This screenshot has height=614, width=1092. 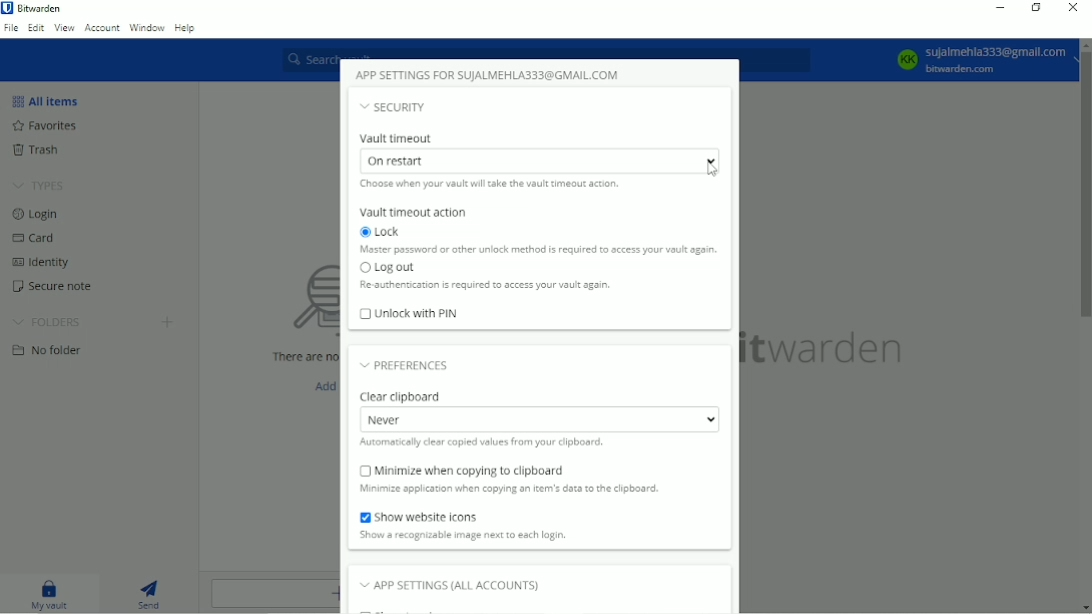 I want to click on Minimize application when copying an item's data to the clipboard., so click(x=509, y=489).